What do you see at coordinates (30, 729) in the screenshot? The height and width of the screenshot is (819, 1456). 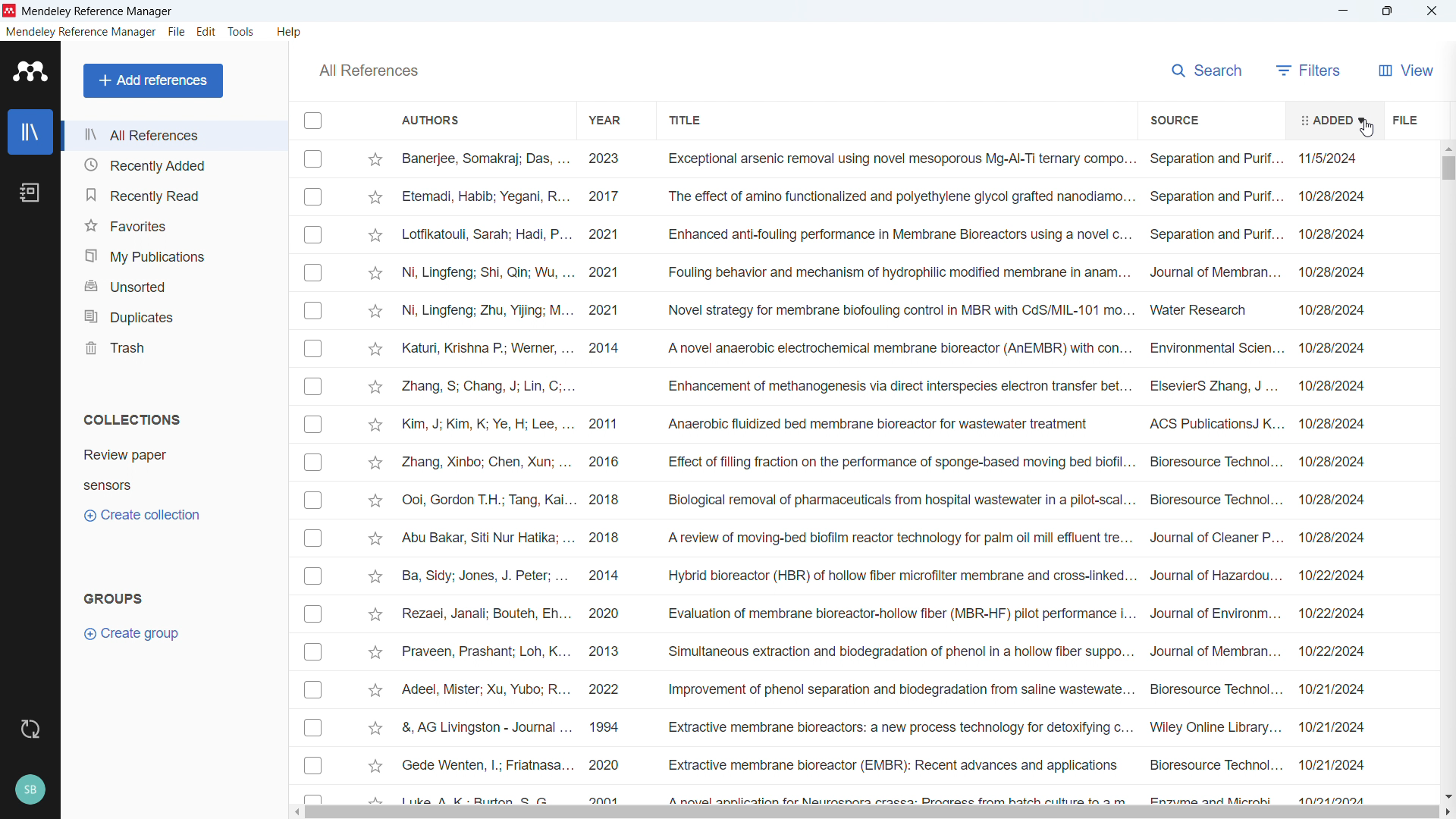 I see `sync ` at bounding box center [30, 729].